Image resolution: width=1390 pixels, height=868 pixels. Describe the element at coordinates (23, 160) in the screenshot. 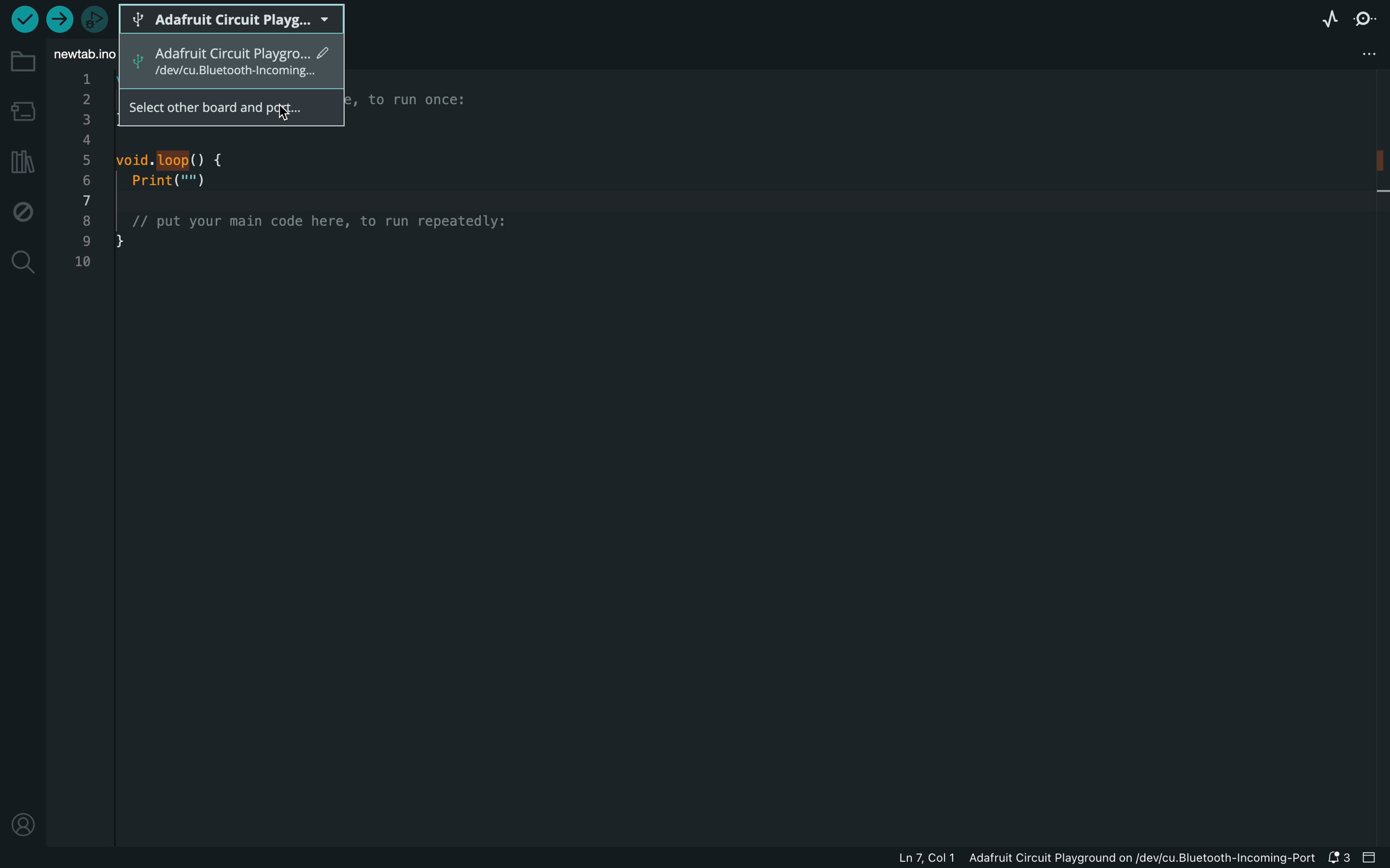

I see `library manager` at that location.